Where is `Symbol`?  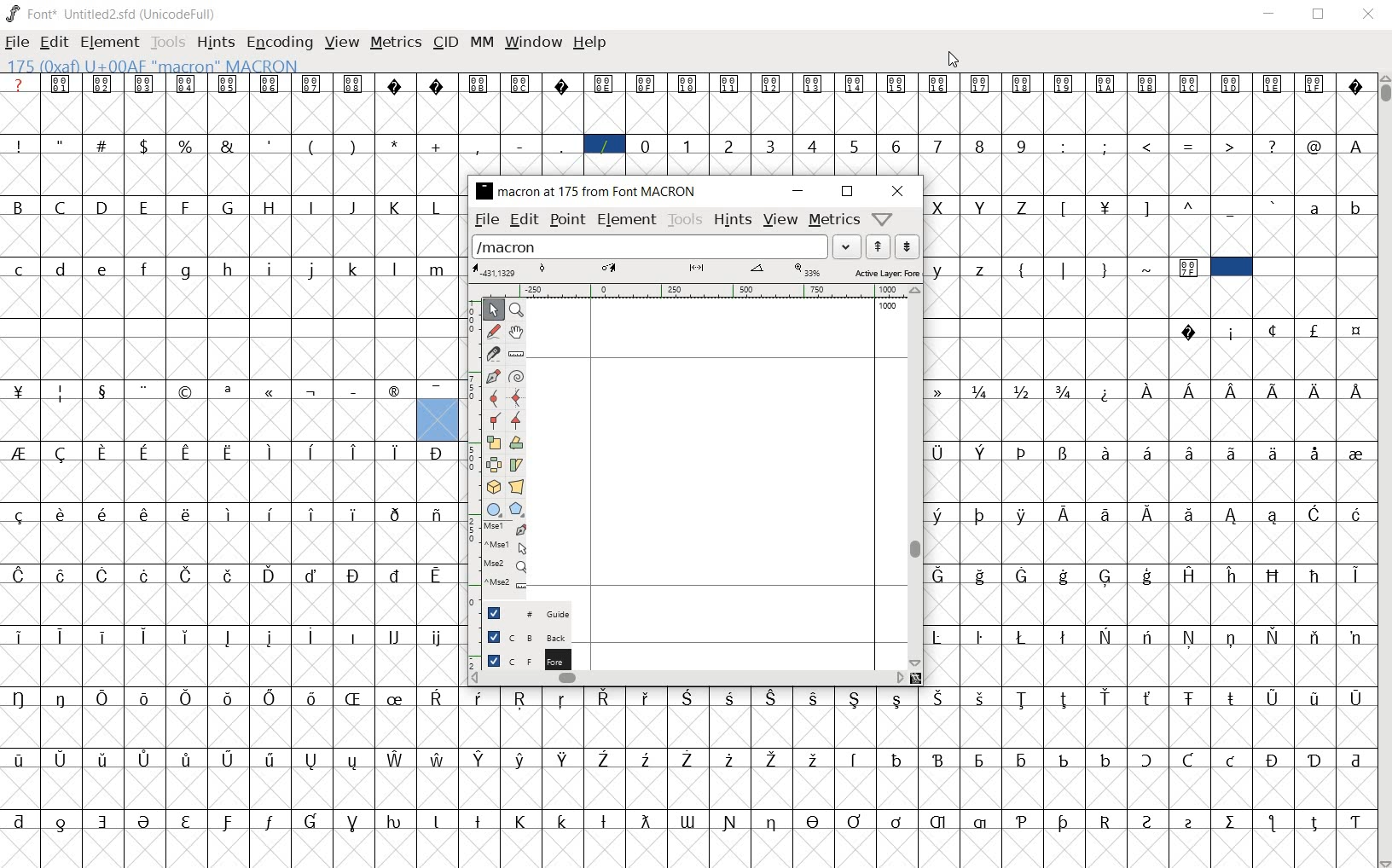
Symbol is located at coordinates (1354, 756).